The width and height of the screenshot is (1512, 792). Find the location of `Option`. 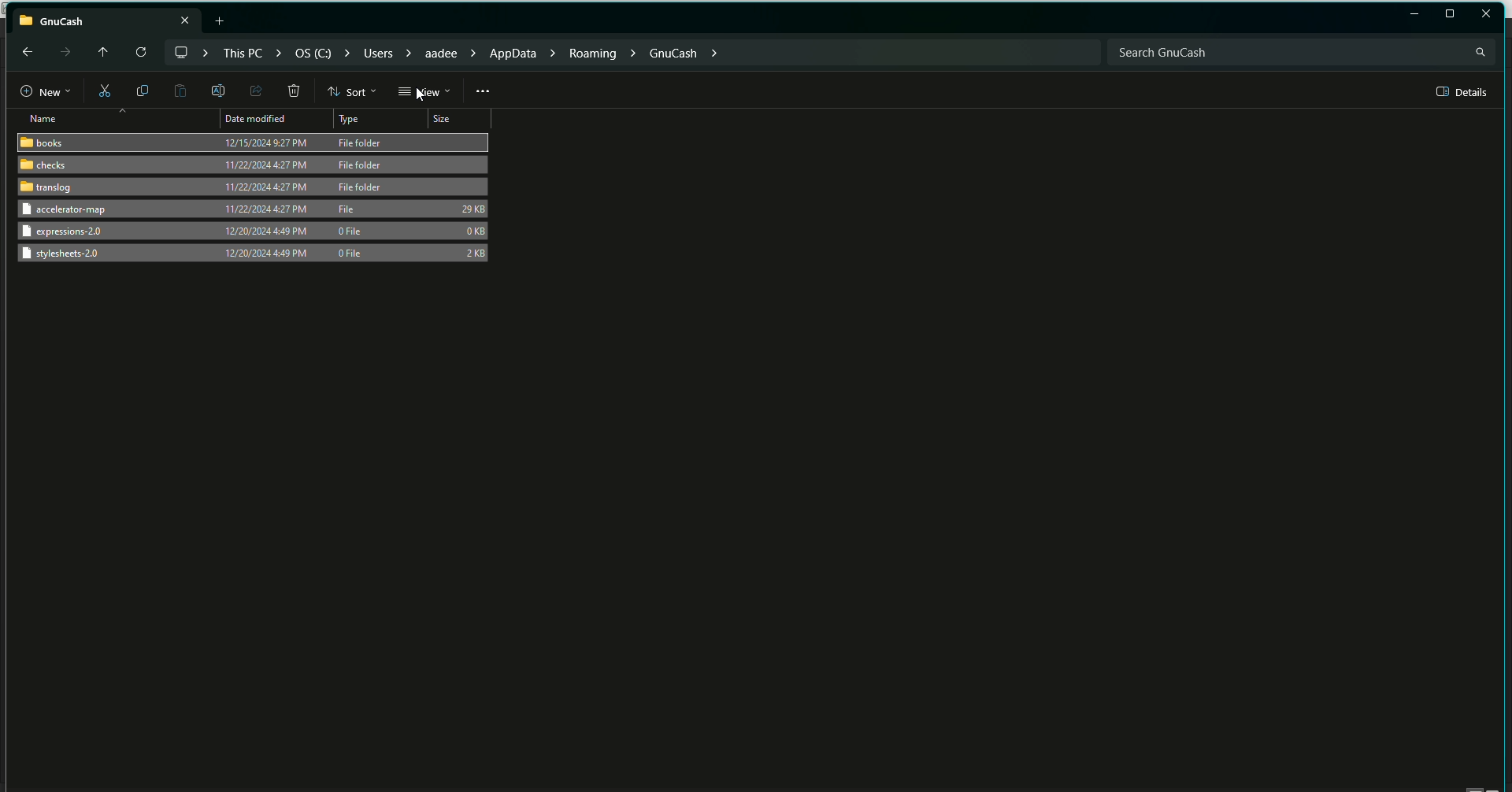

Option is located at coordinates (484, 91).